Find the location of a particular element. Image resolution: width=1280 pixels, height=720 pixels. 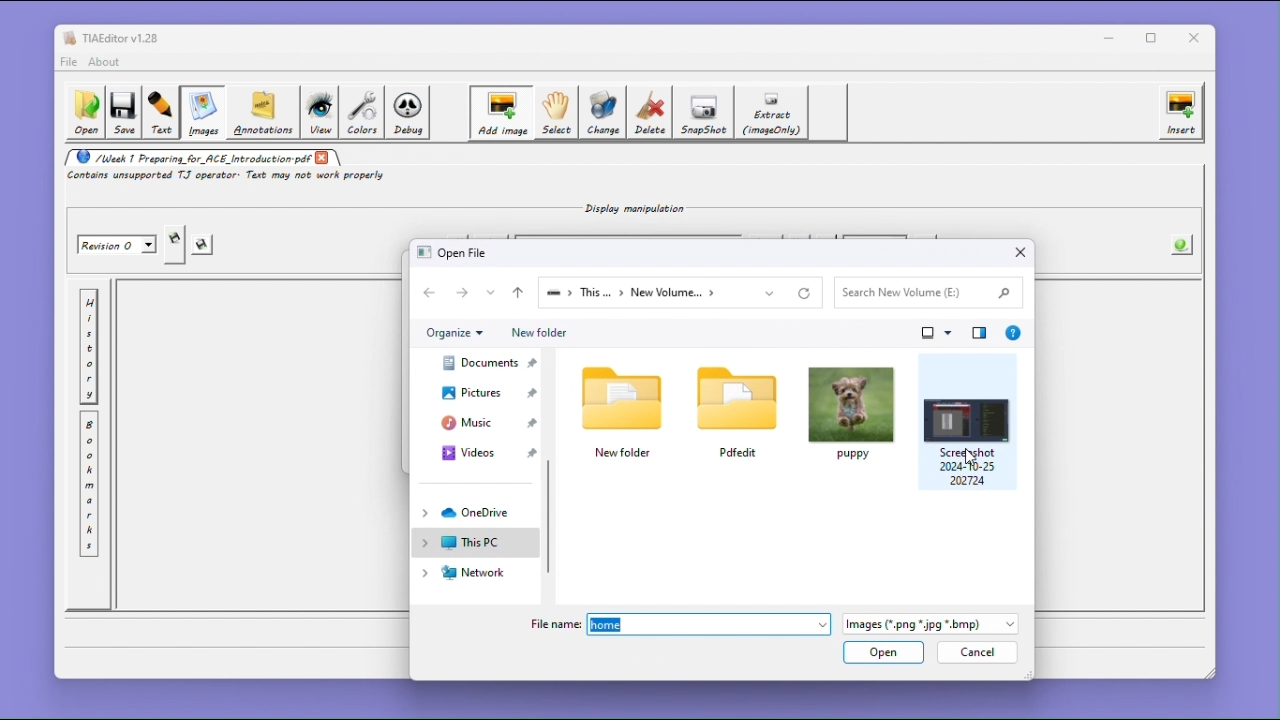

Text is located at coordinates (161, 113).